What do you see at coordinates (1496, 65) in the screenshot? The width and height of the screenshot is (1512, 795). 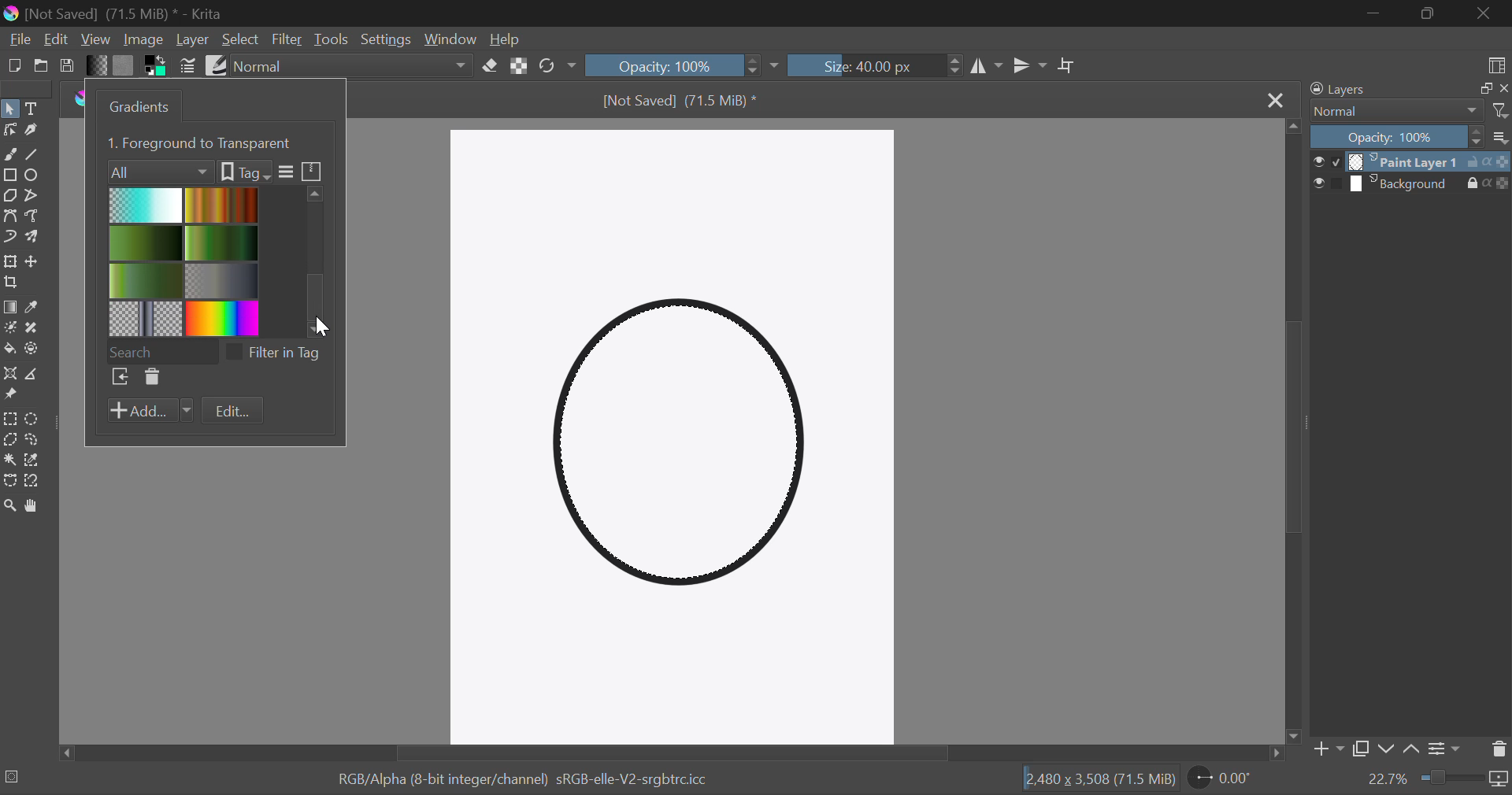 I see `Choose Workspace` at bounding box center [1496, 65].